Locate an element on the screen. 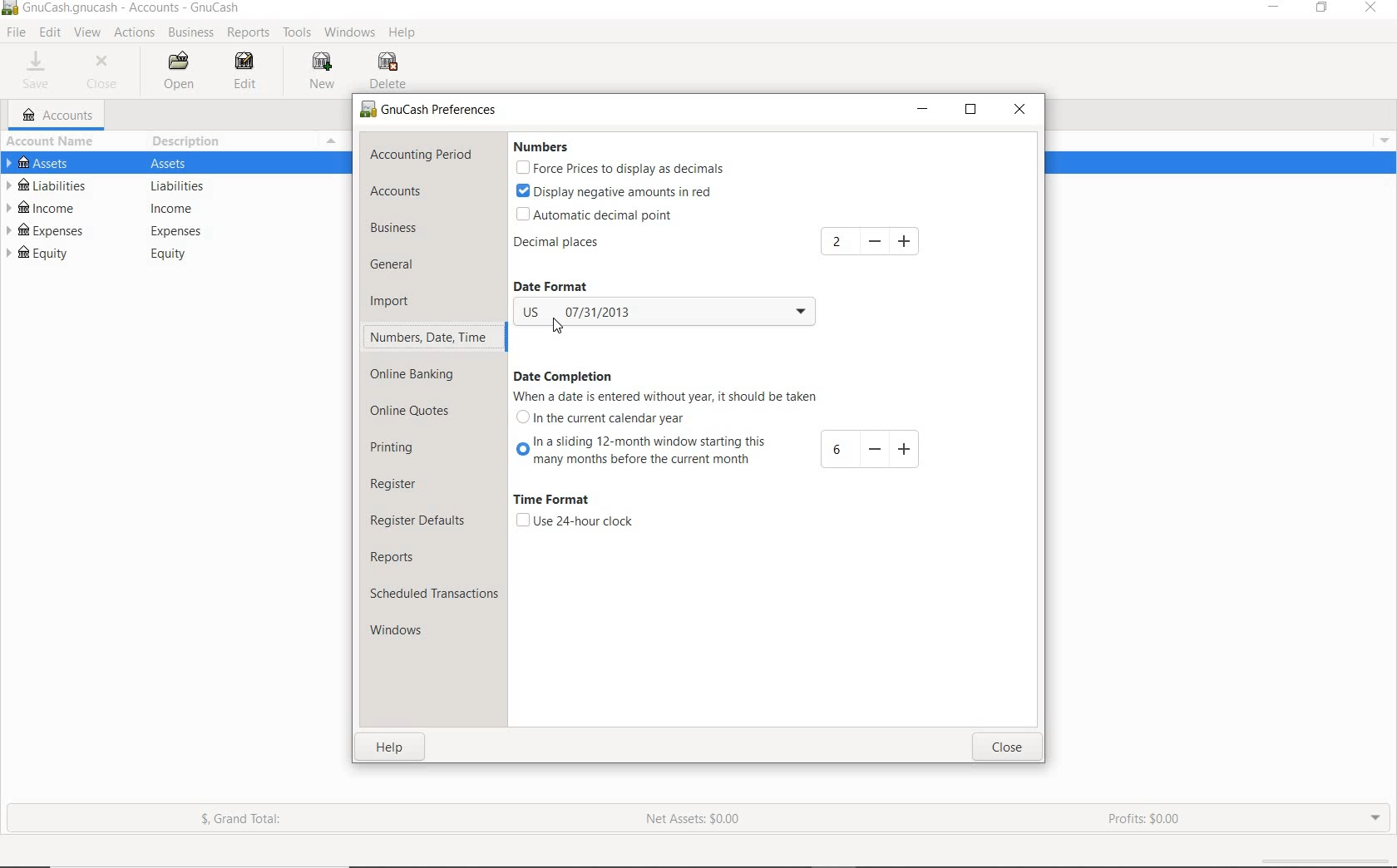 This screenshot has height=868, width=1397. numbers, date, time is located at coordinates (428, 337).